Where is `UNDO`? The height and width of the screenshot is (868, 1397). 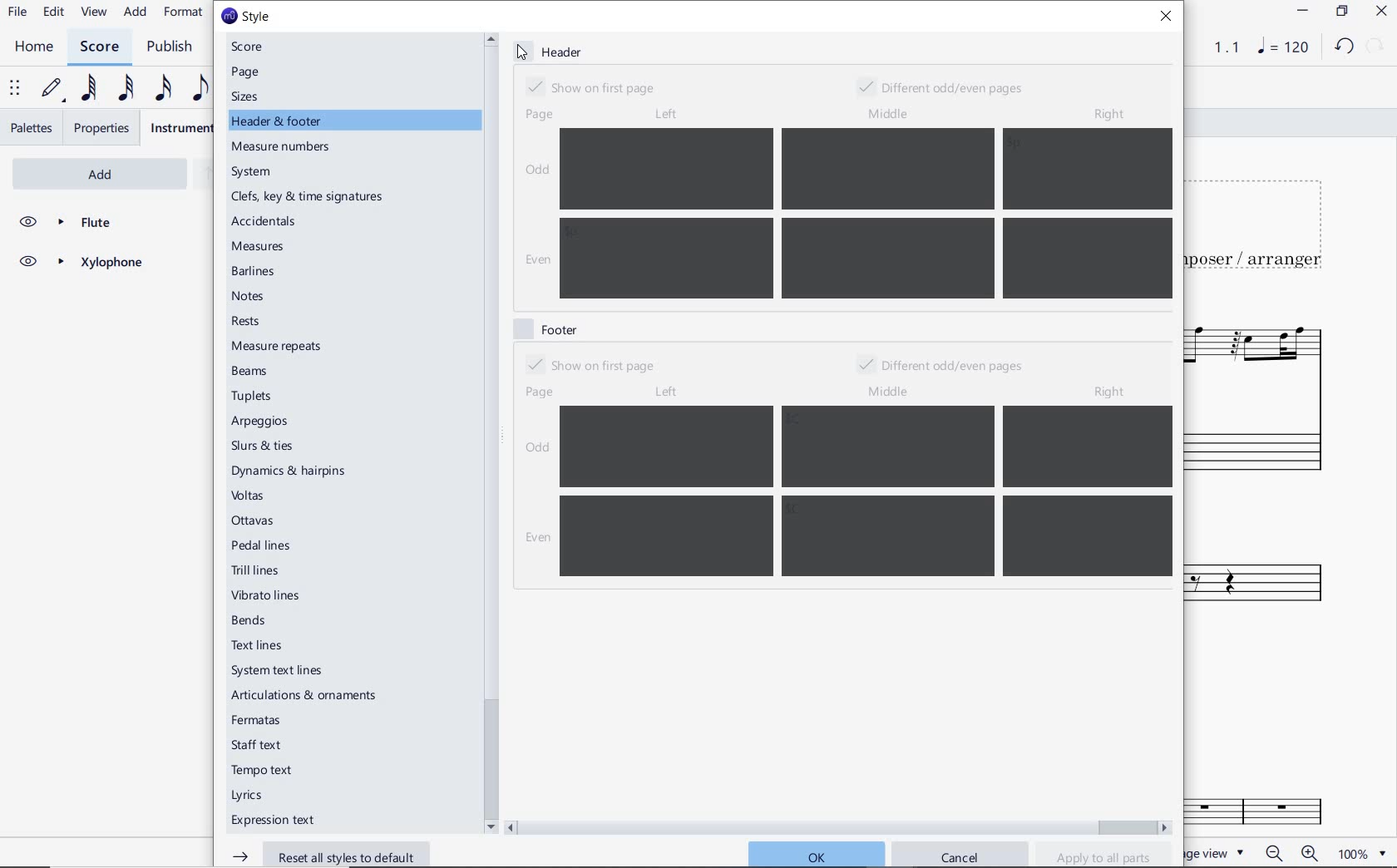 UNDO is located at coordinates (1343, 47).